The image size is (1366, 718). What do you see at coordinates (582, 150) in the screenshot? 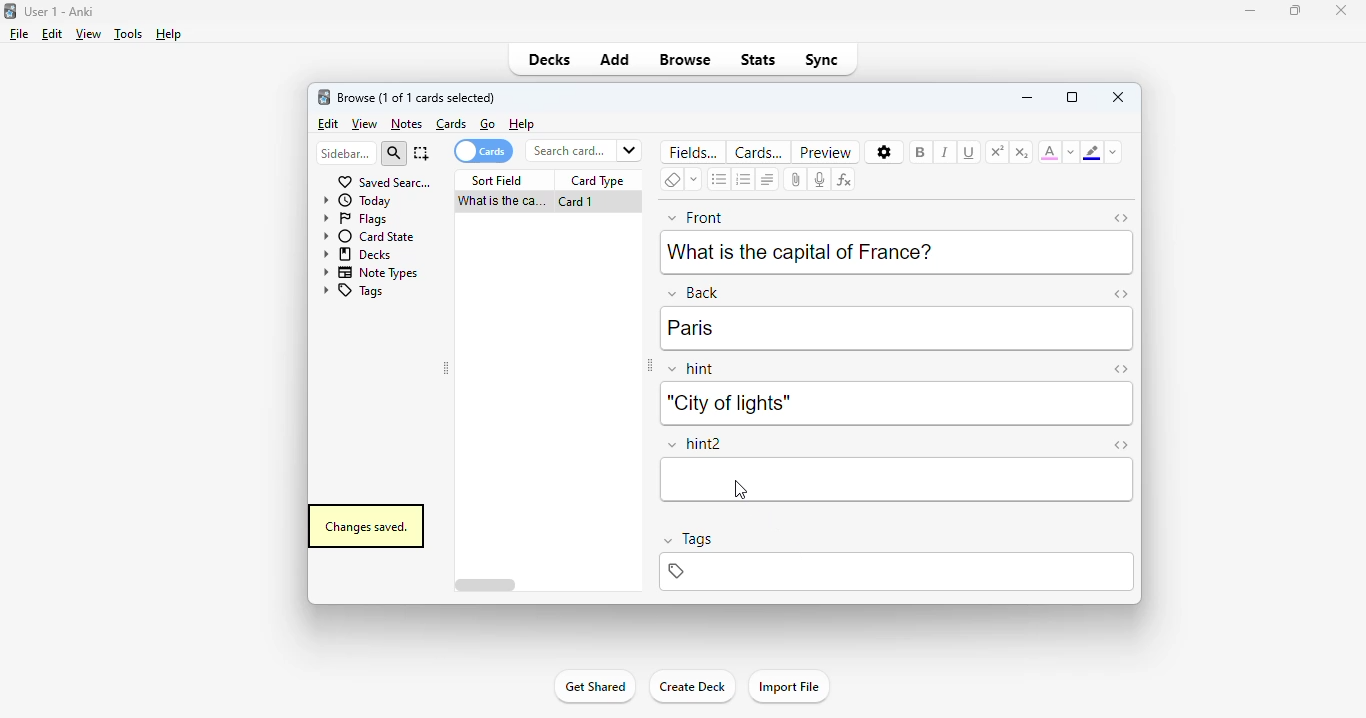
I see `search bar` at bounding box center [582, 150].